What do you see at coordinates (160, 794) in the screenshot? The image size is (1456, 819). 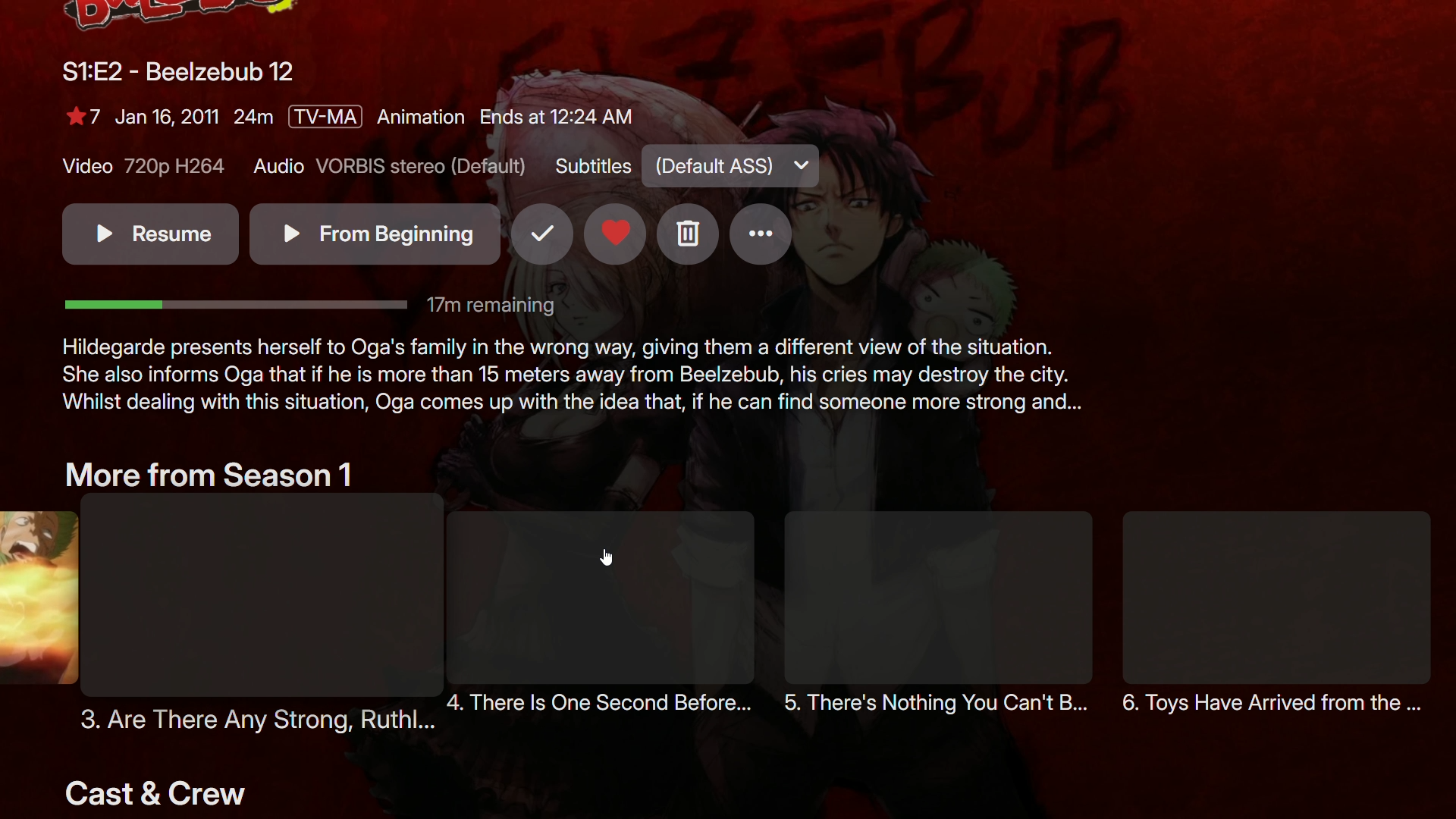 I see `Cast and Crew` at bounding box center [160, 794].